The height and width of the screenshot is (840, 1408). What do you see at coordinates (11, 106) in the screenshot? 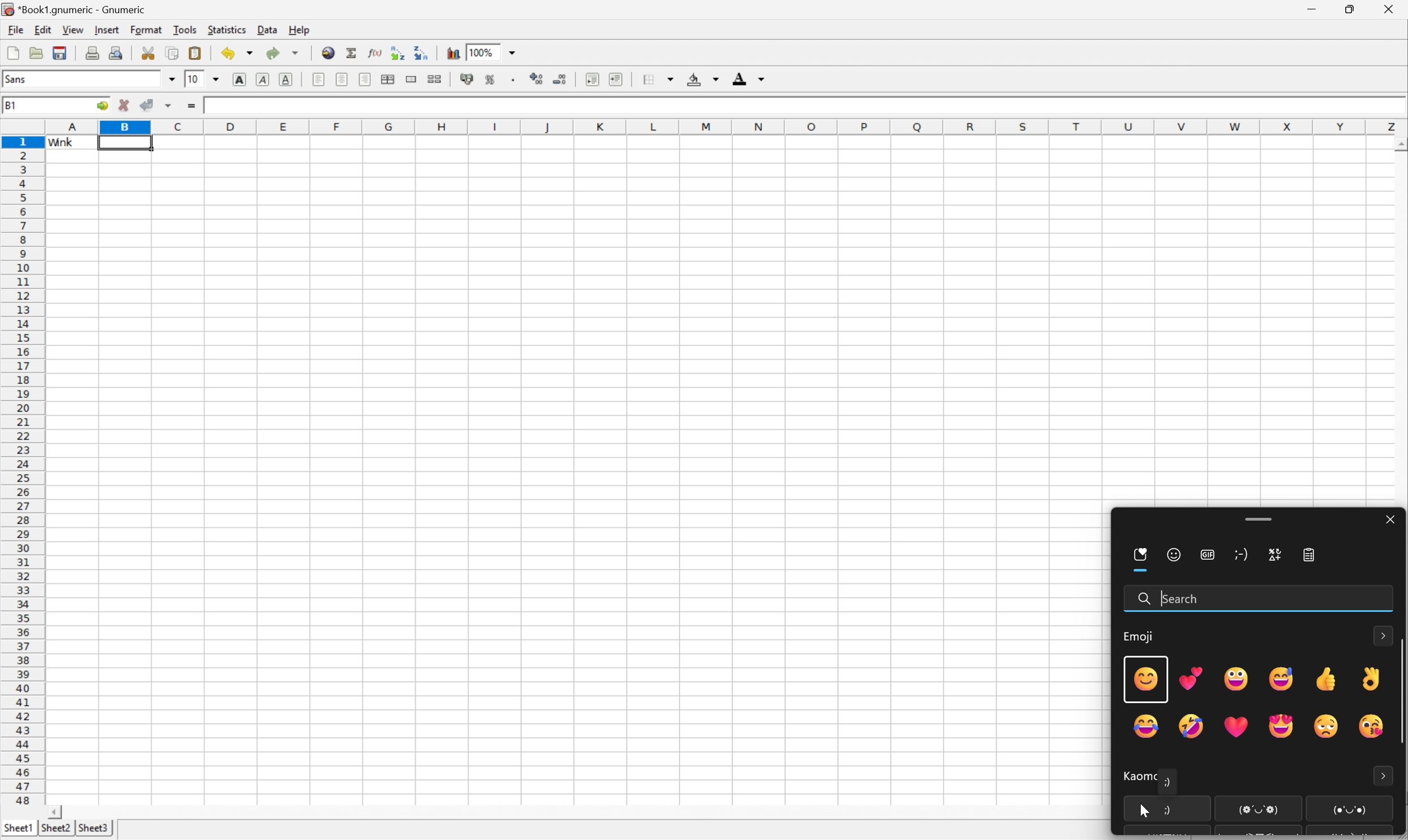
I see `B1` at bounding box center [11, 106].